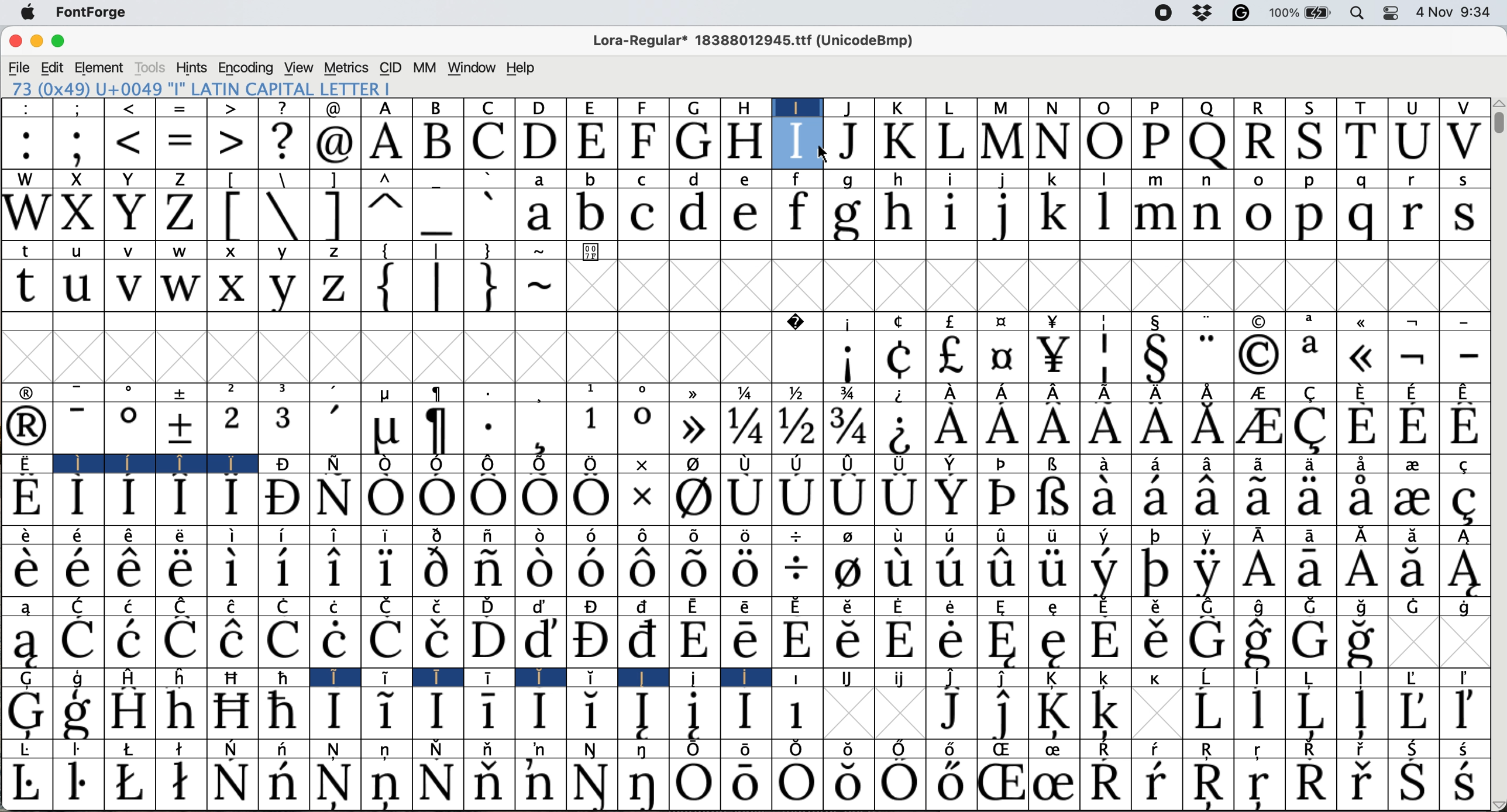 The height and width of the screenshot is (812, 1507). I want to click on Symbol, so click(590, 639).